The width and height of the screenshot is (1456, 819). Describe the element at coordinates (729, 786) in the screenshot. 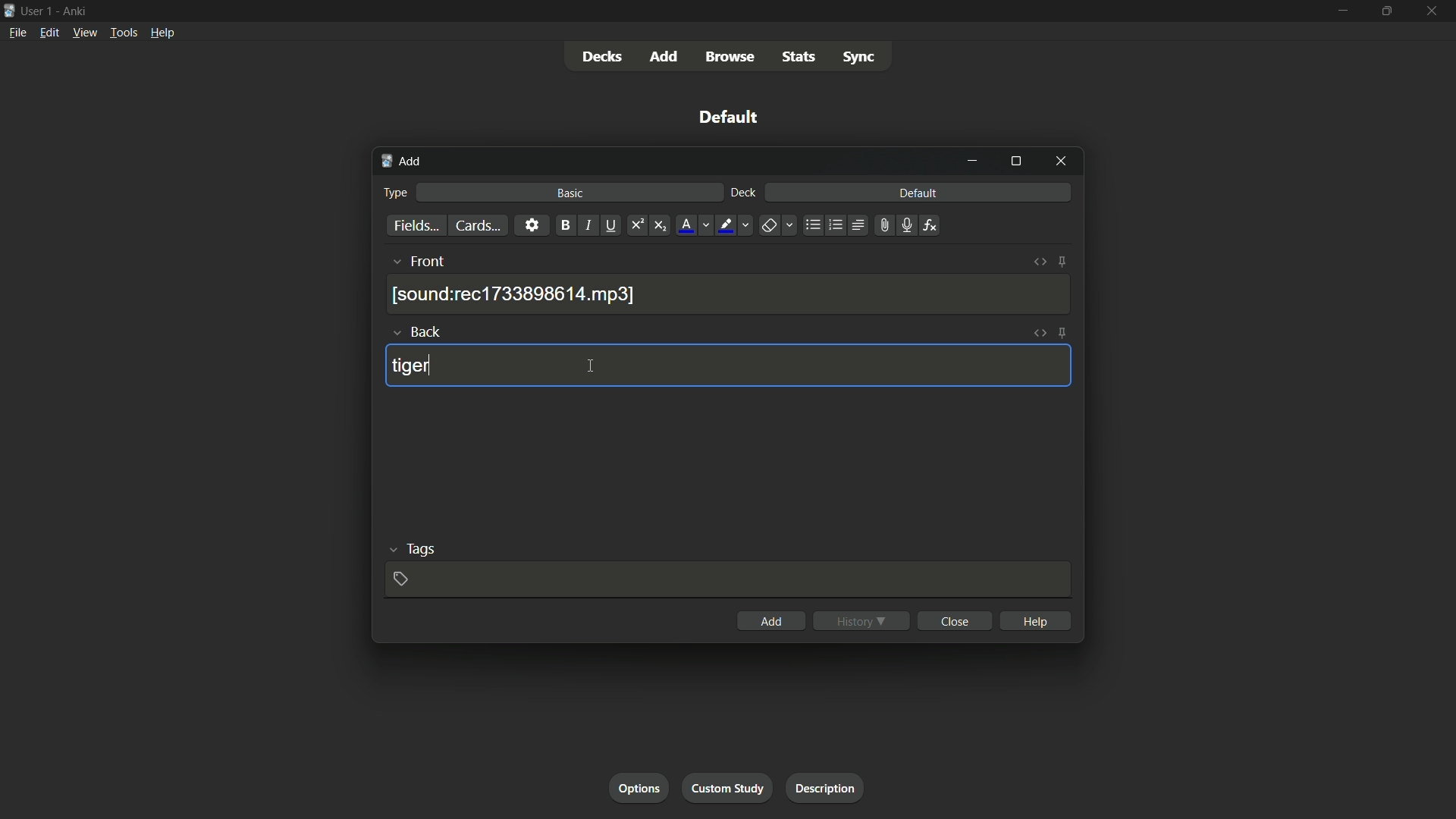

I see `custom study` at that location.